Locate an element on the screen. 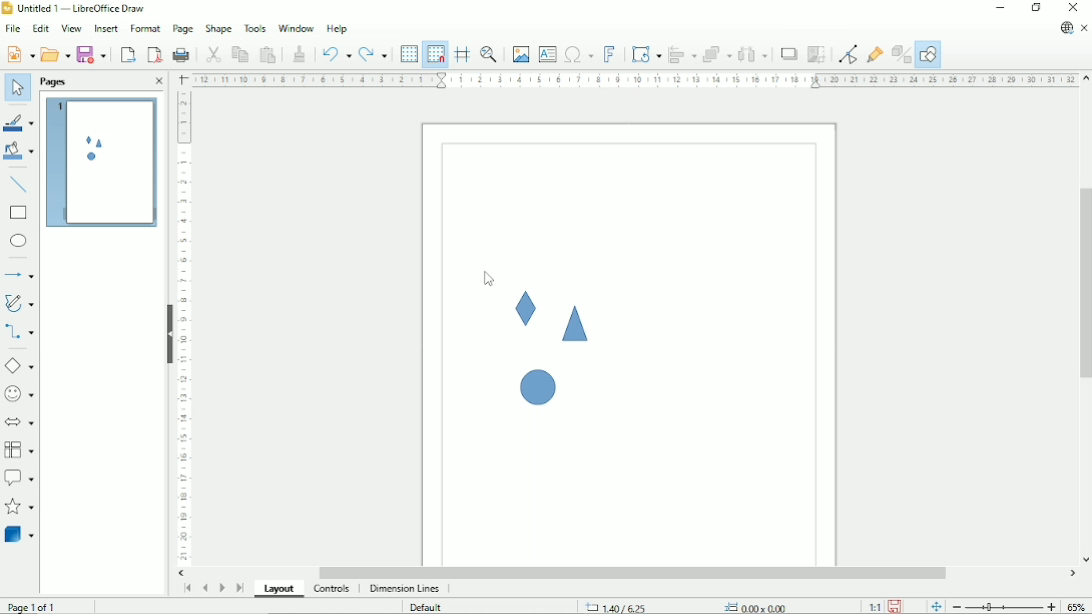 This screenshot has width=1092, height=614. Vertical scale is located at coordinates (184, 328).